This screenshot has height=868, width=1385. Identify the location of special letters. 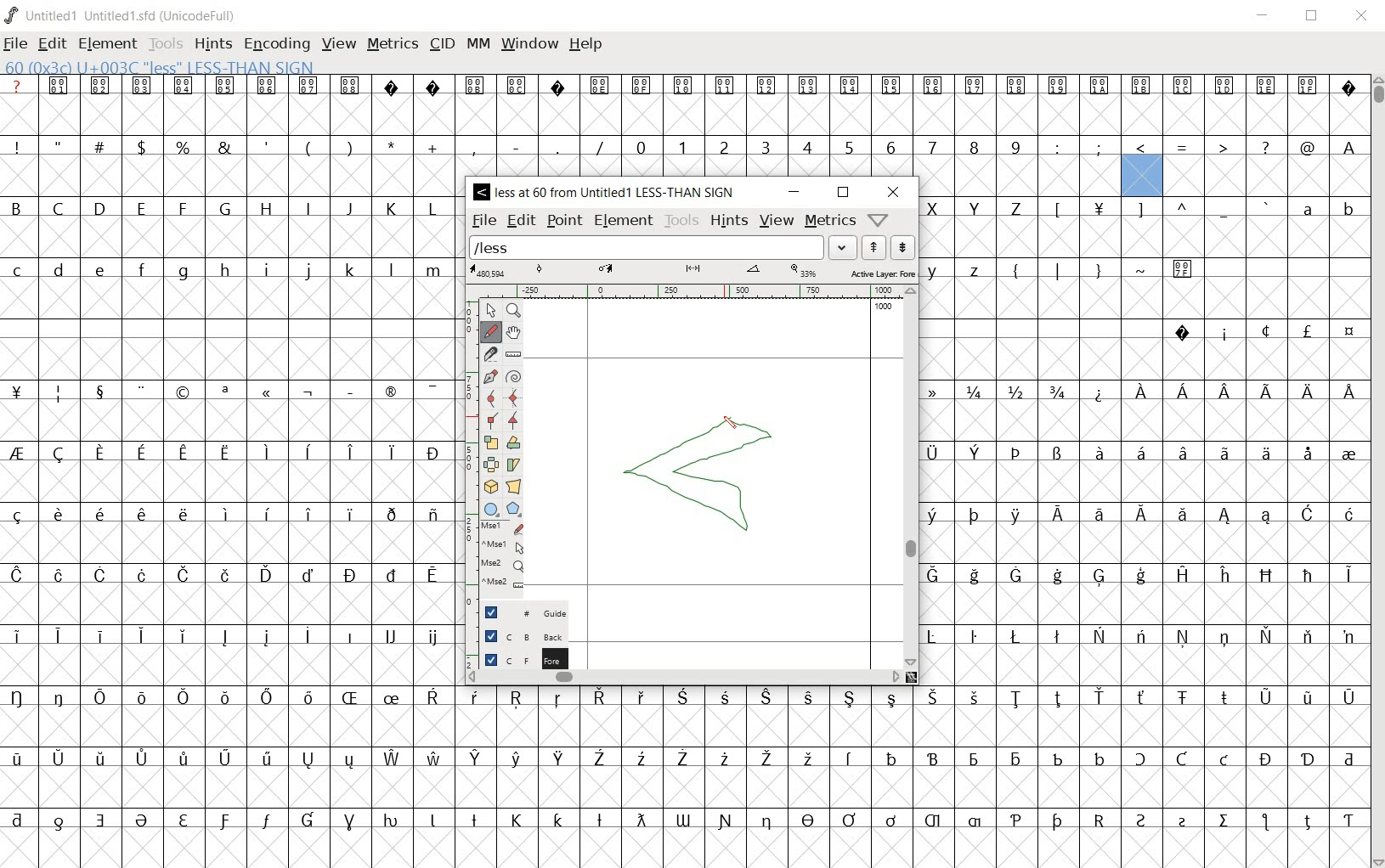
(1142, 449).